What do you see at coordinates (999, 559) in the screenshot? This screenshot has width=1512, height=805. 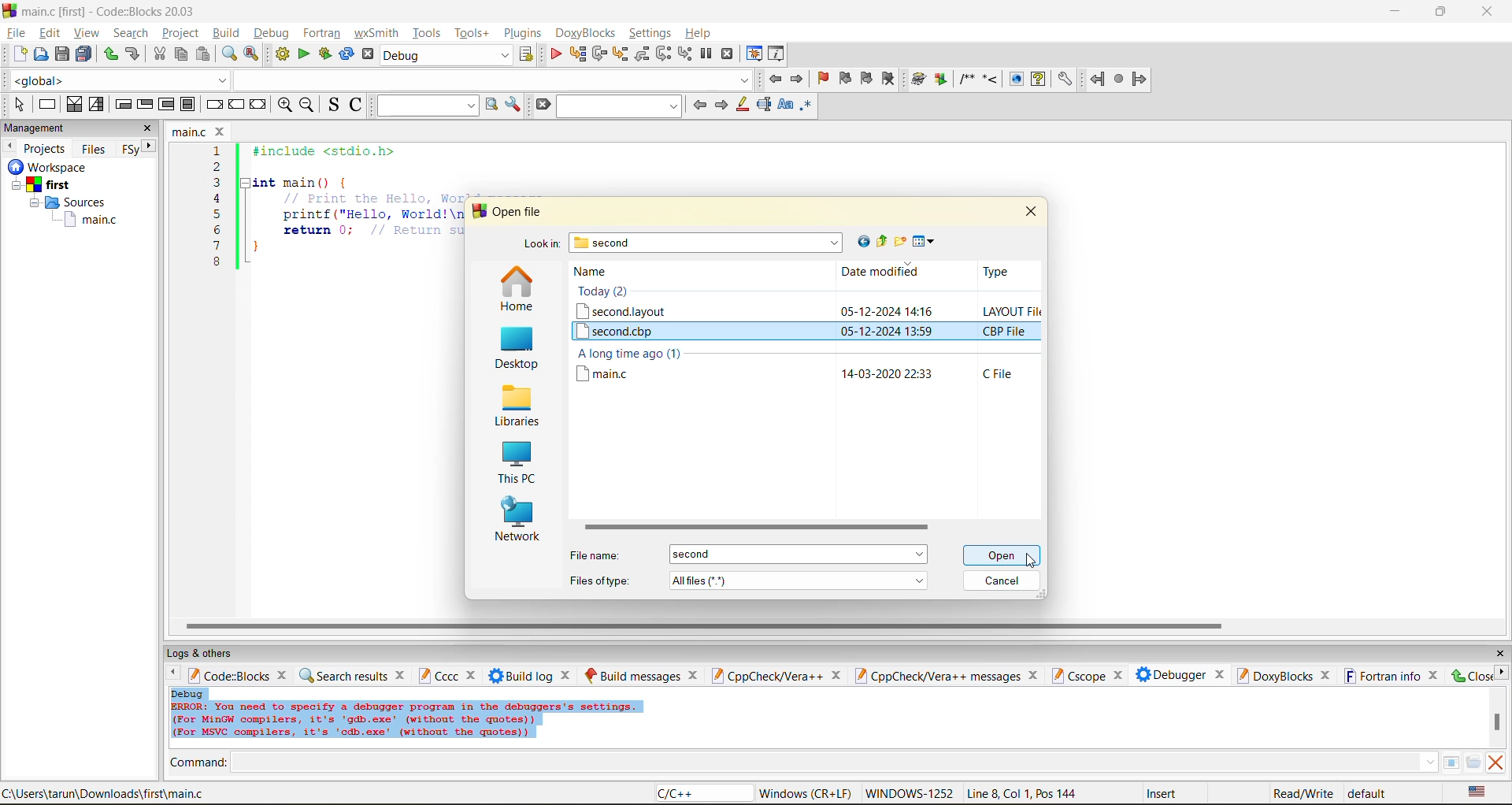 I see `cursor` at bounding box center [999, 559].